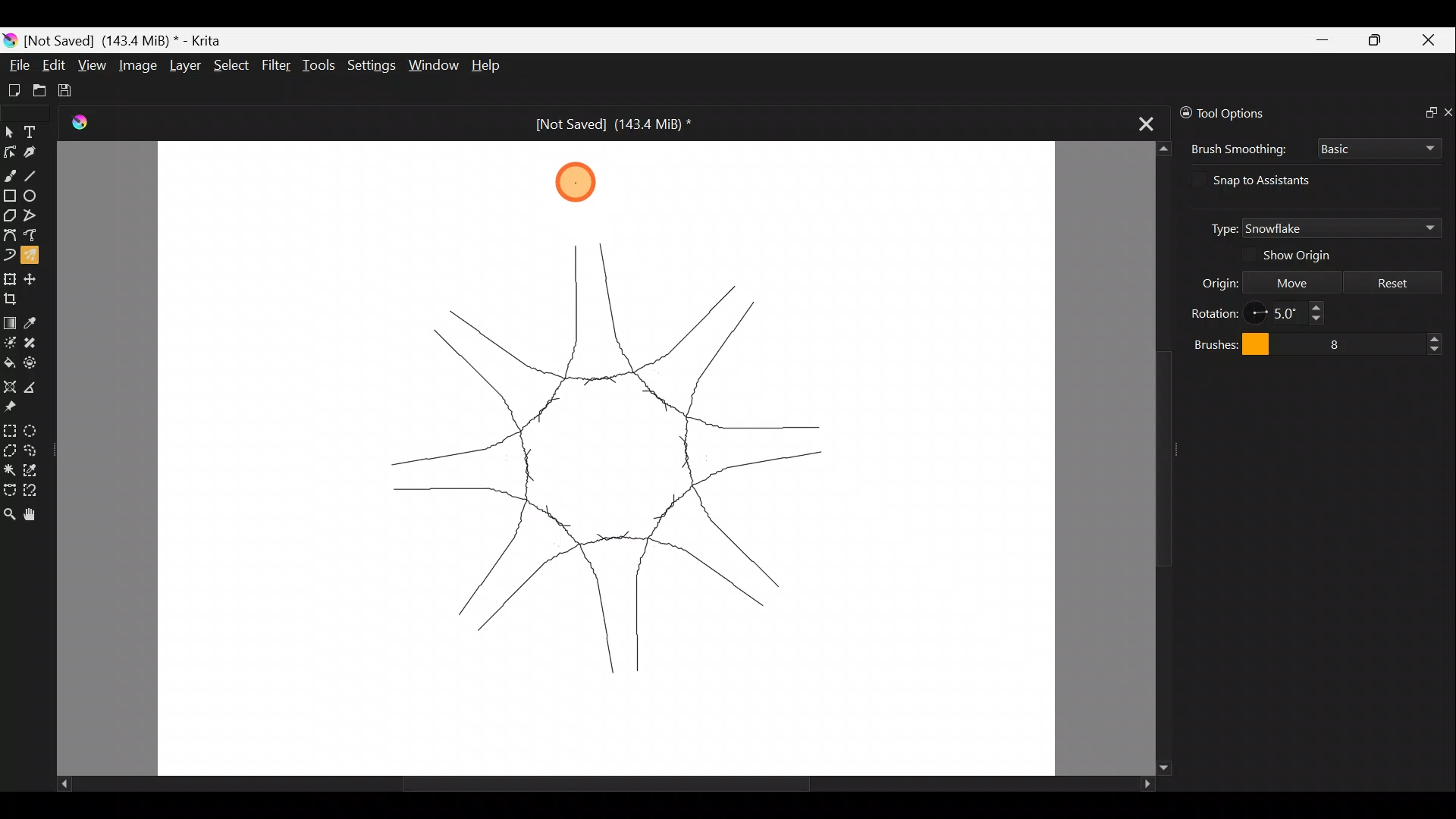 This screenshot has height=819, width=1456. Describe the element at coordinates (432, 66) in the screenshot. I see `Window` at that location.